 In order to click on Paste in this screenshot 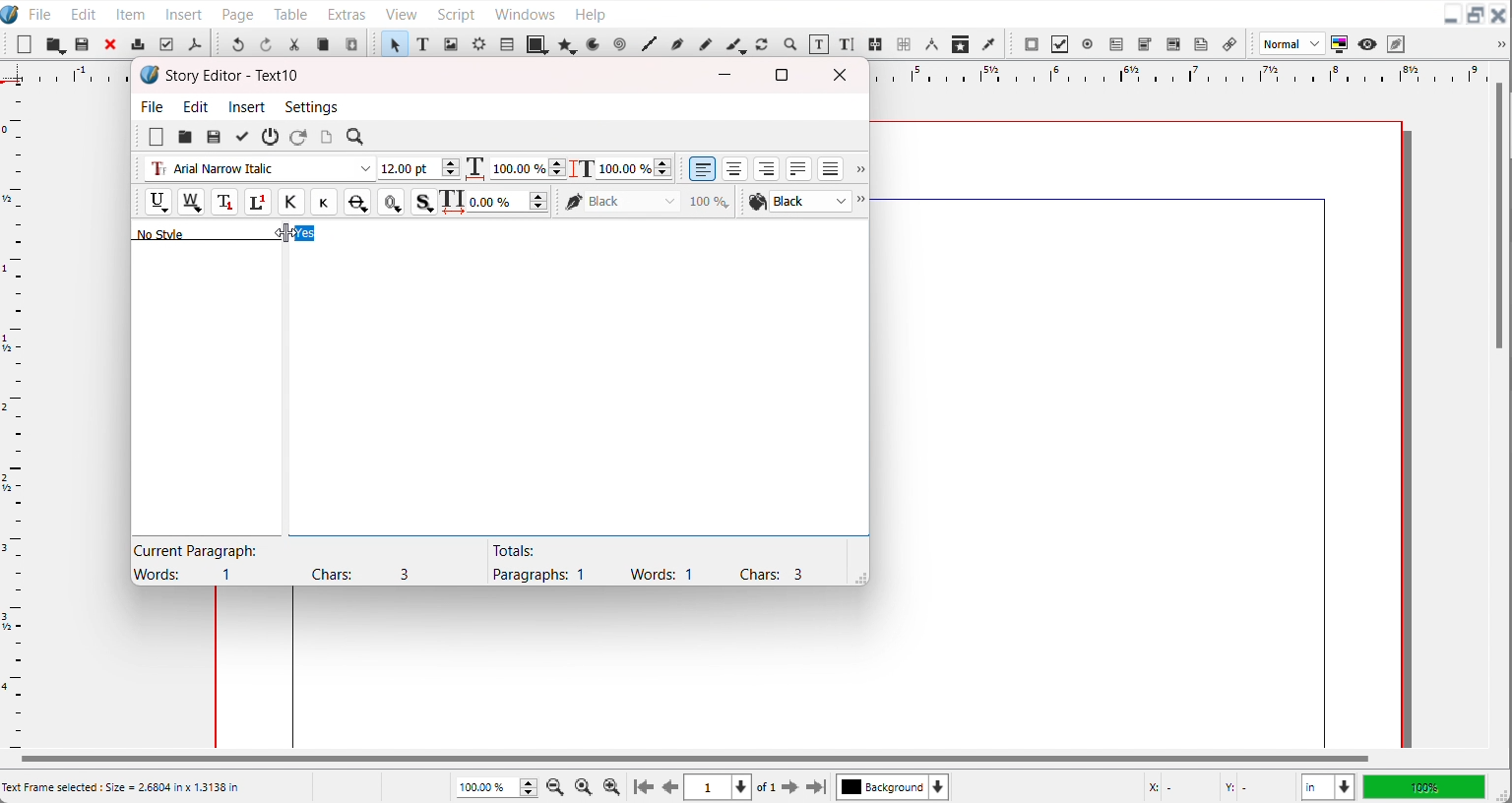, I will do `click(351, 43)`.